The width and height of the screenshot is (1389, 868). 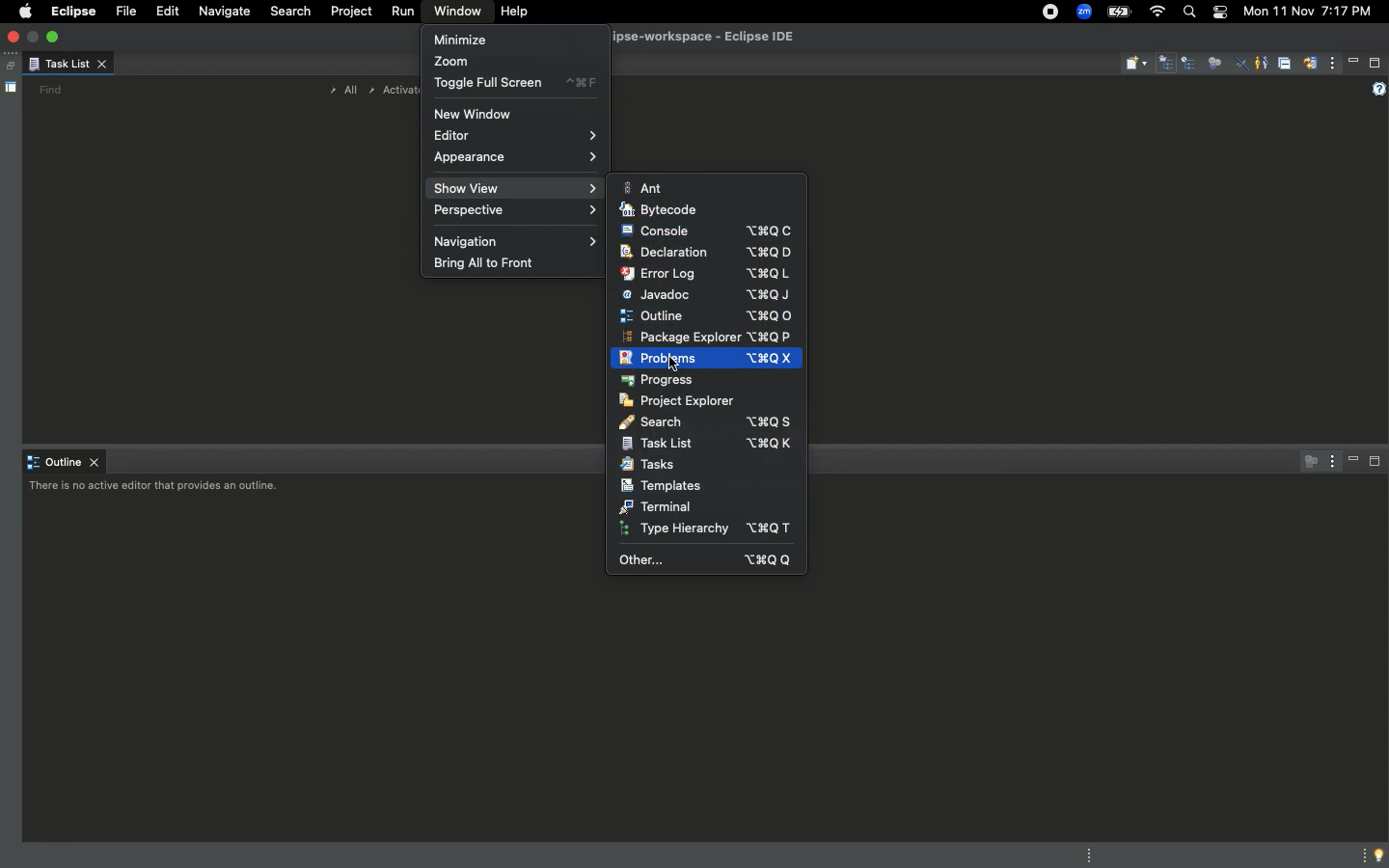 What do you see at coordinates (1049, 14) in the screenshot?
I see `Recording` at bounding box center [1049, 14].